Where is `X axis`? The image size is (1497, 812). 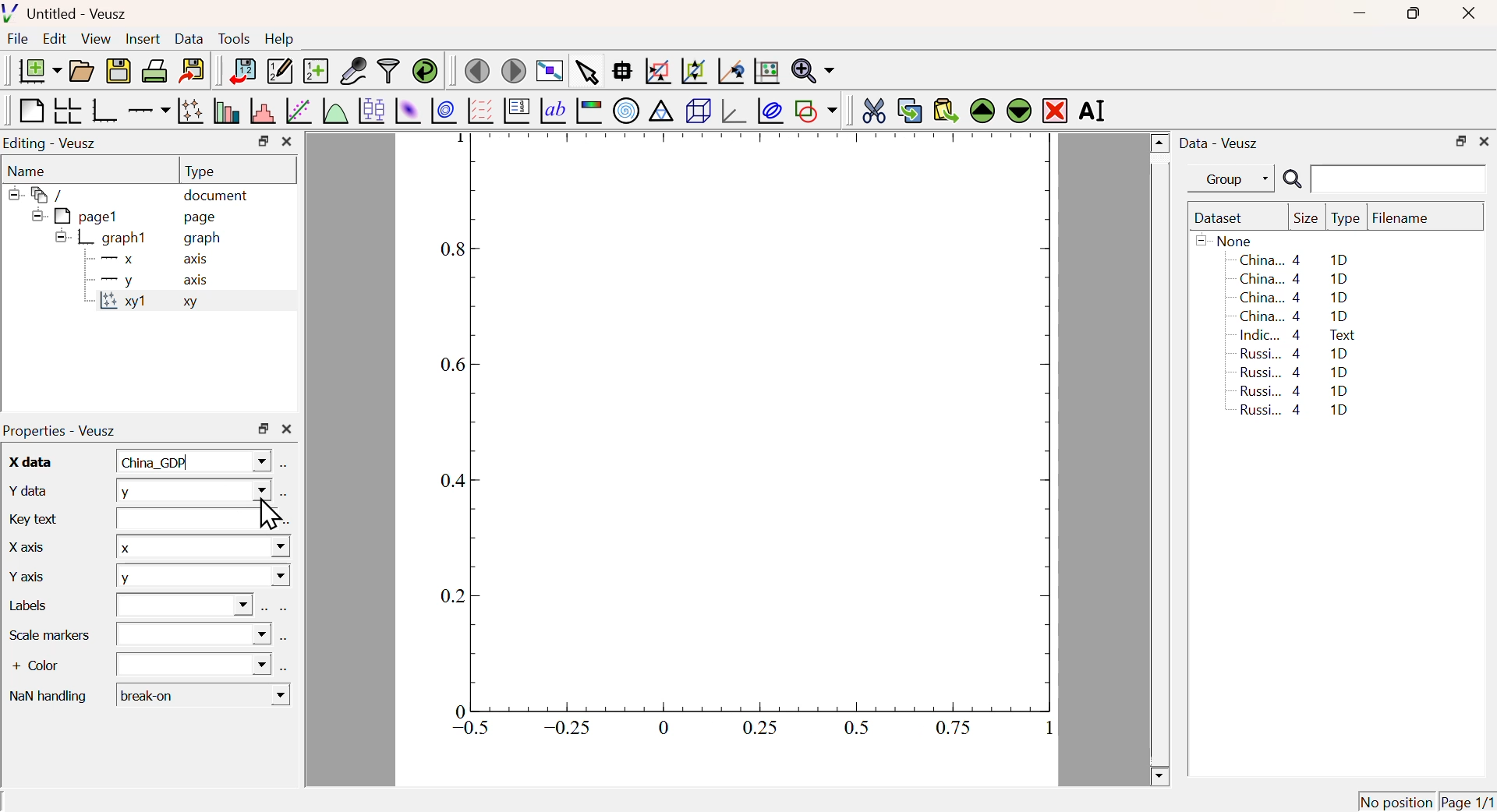 X axis is located at coordinates (147, 259).